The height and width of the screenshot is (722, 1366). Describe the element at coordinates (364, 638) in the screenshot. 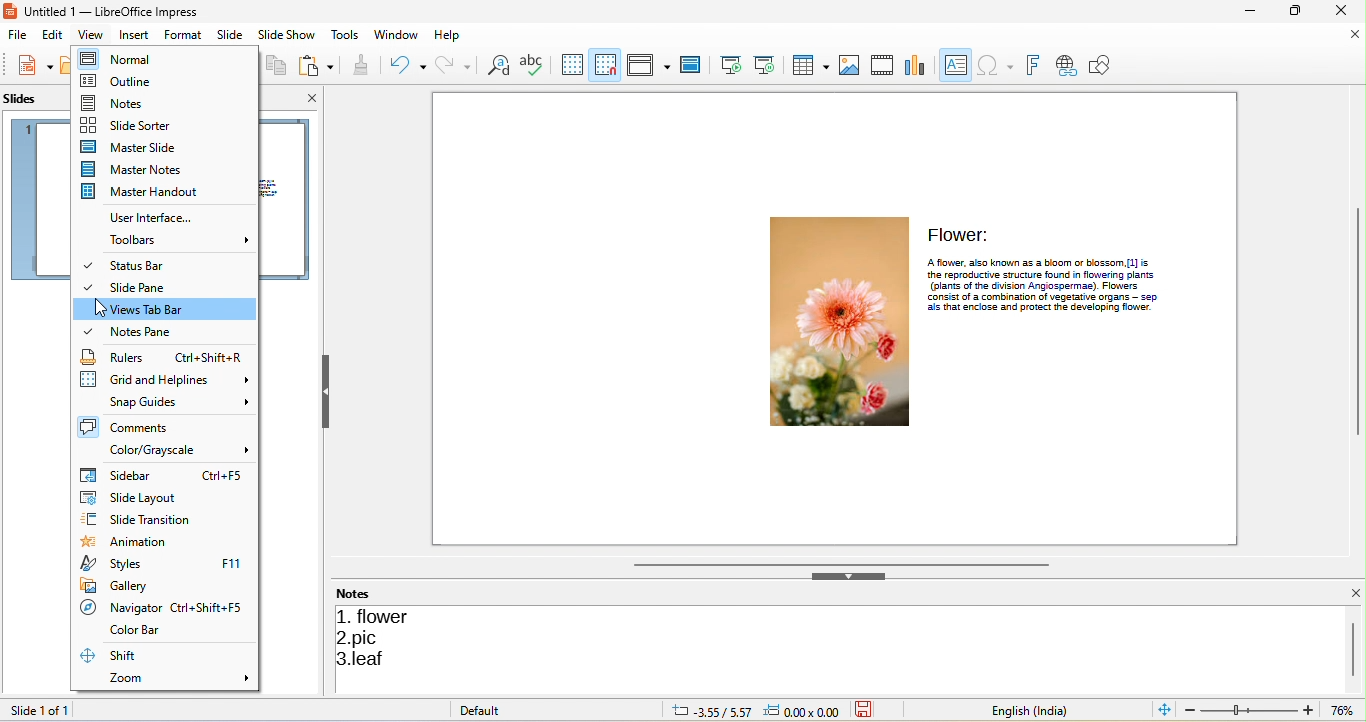

I see `pic` at that location.